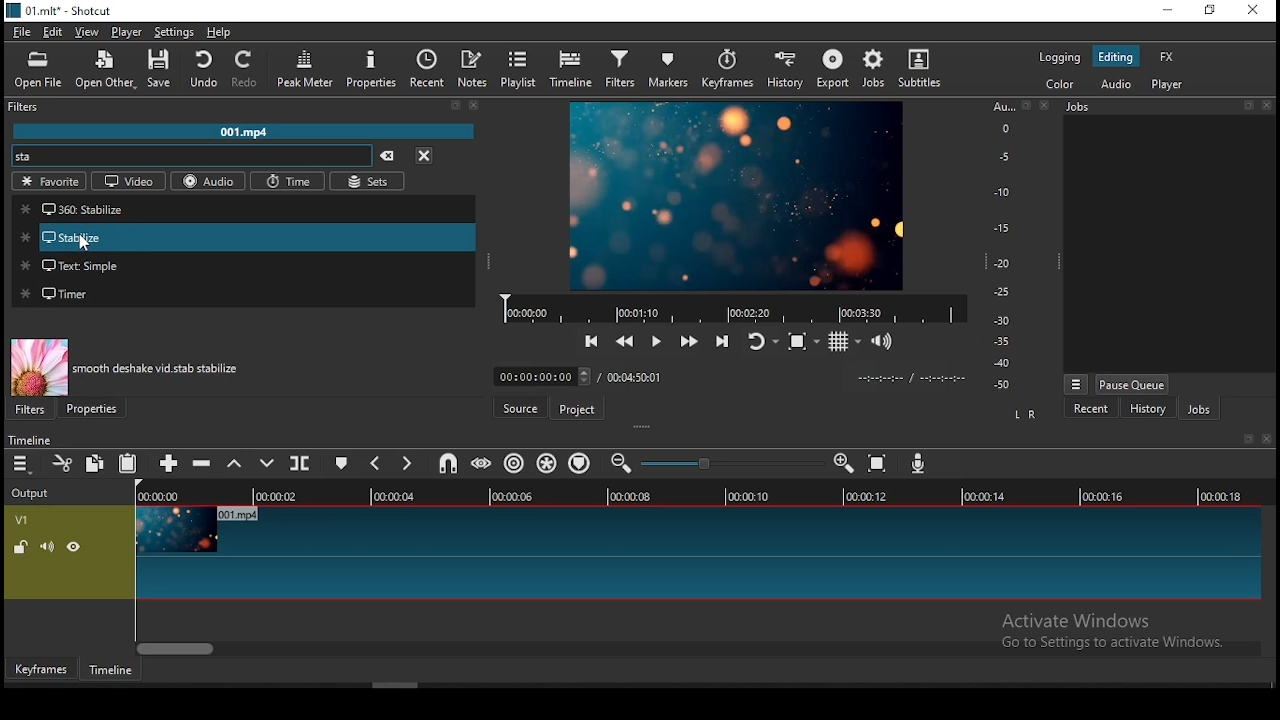  I want to click on view, so click(88, 33).